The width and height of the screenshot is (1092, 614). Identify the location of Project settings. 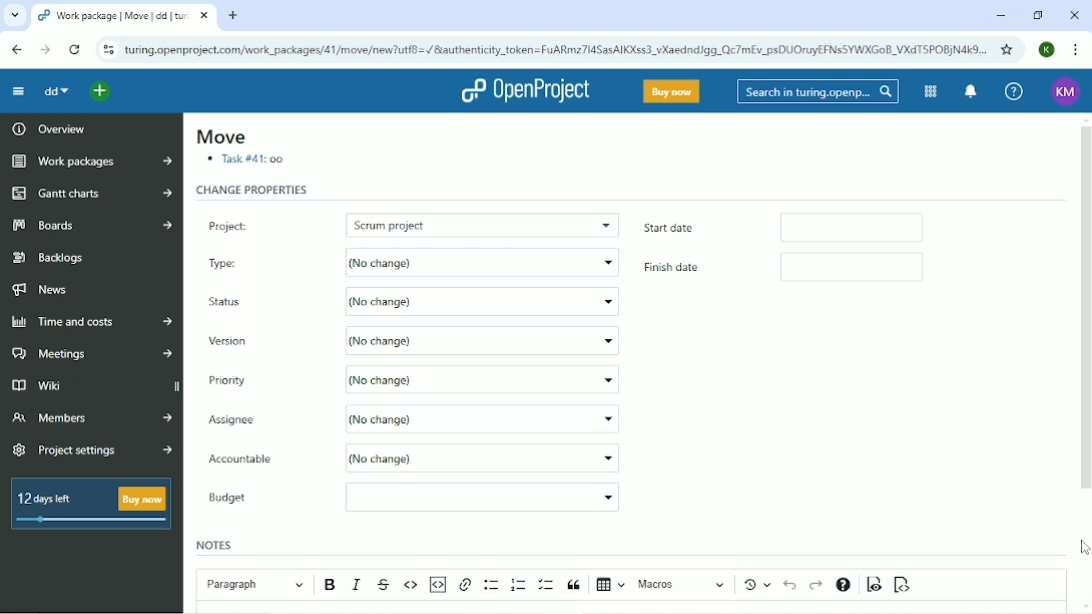
(92, 451).